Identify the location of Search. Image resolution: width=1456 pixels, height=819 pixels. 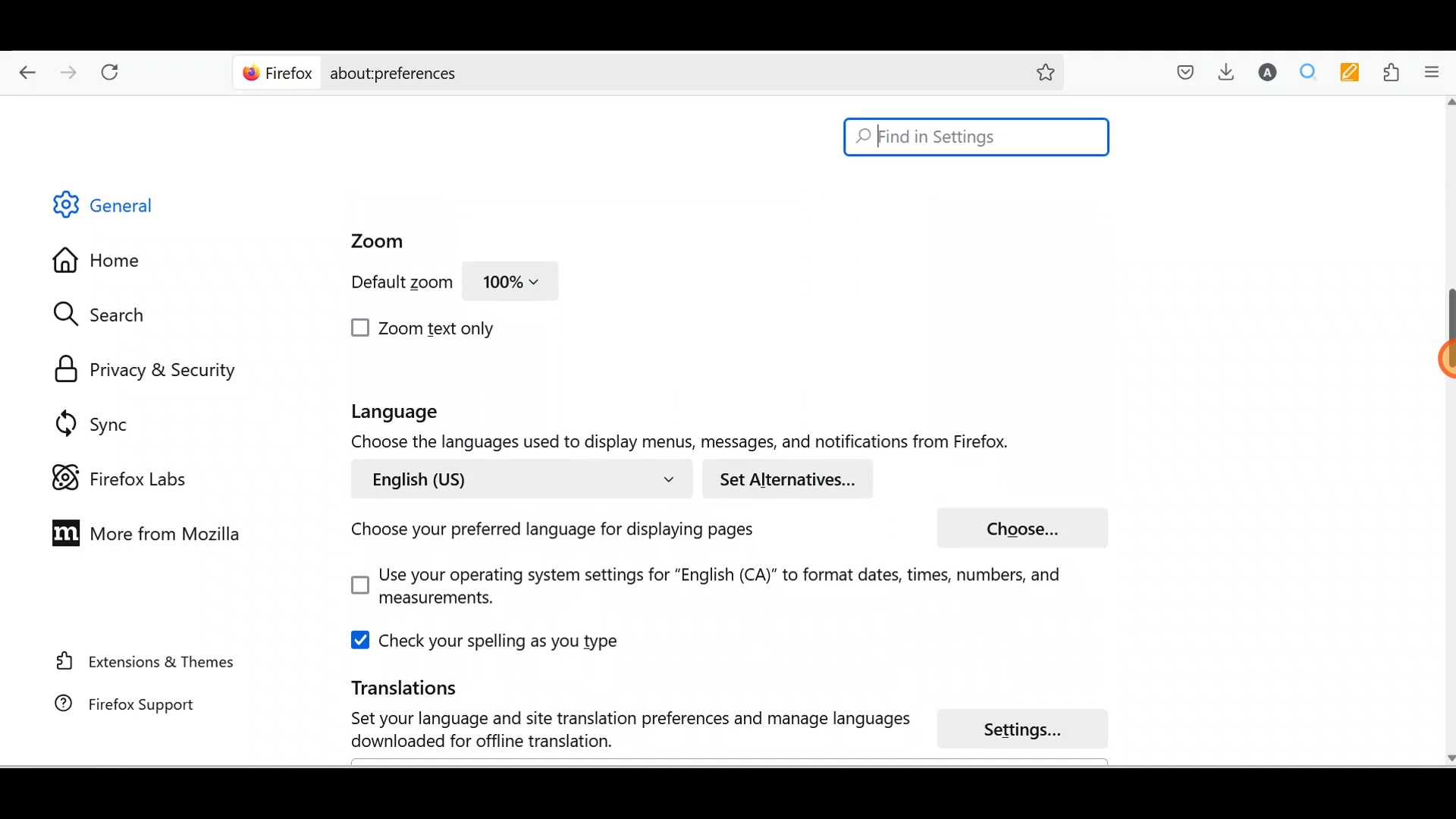
(107, 314).